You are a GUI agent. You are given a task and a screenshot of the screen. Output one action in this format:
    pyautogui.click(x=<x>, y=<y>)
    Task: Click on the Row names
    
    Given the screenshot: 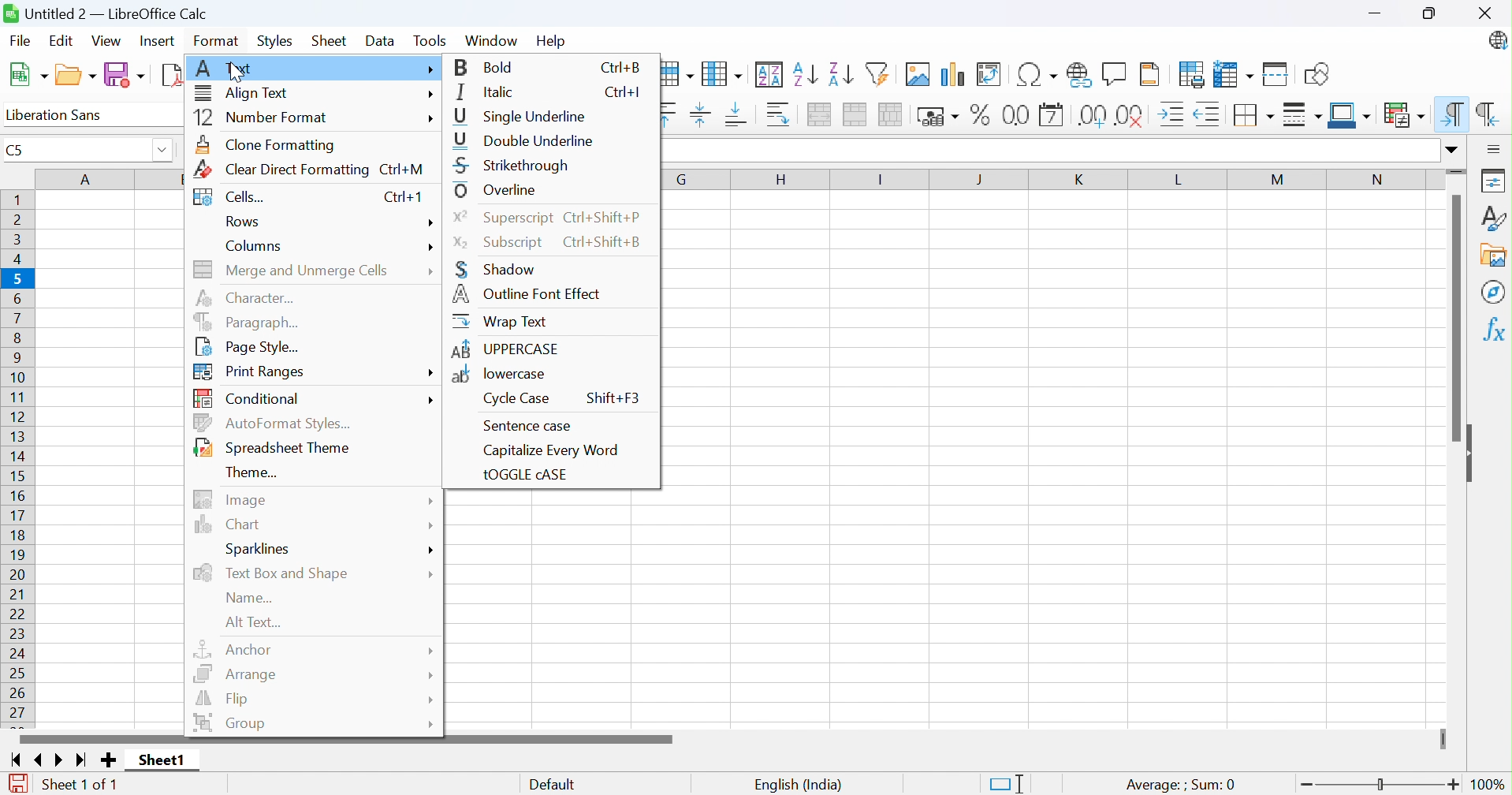 What is the action you would take?
    pyautogui.click(x=17, y=461)
    